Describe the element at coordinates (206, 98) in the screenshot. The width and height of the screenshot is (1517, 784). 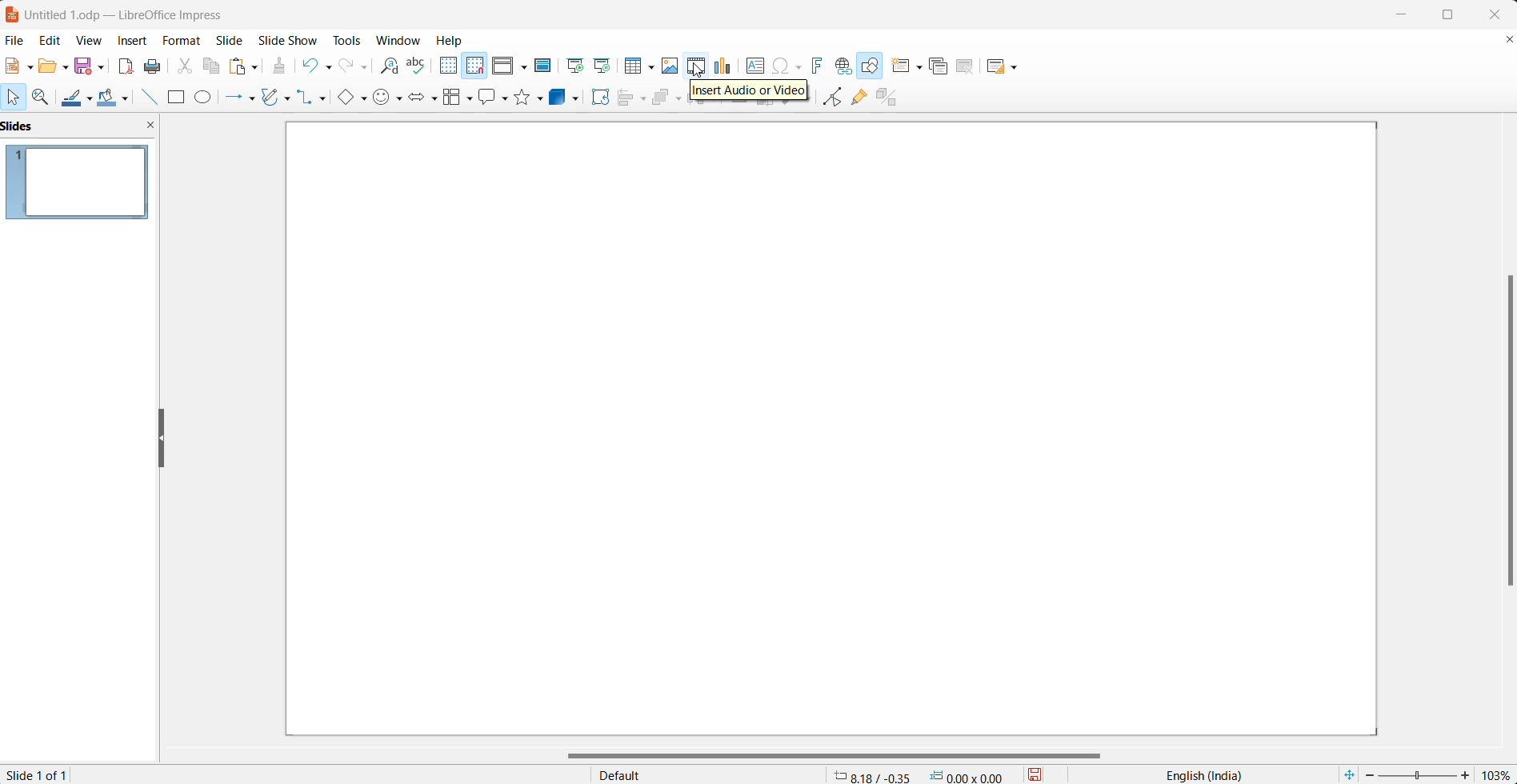
I see `ellipse` at that location.